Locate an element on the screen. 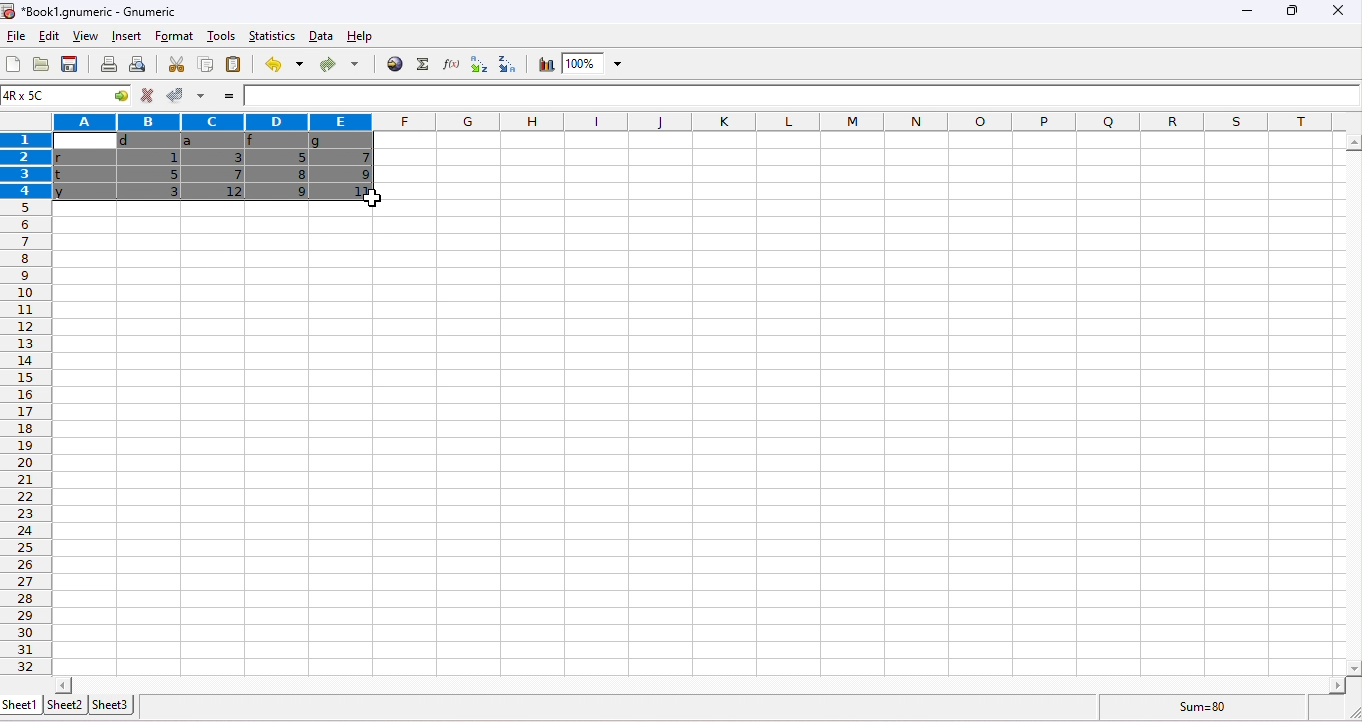  print is located at coordinates (108, 64).